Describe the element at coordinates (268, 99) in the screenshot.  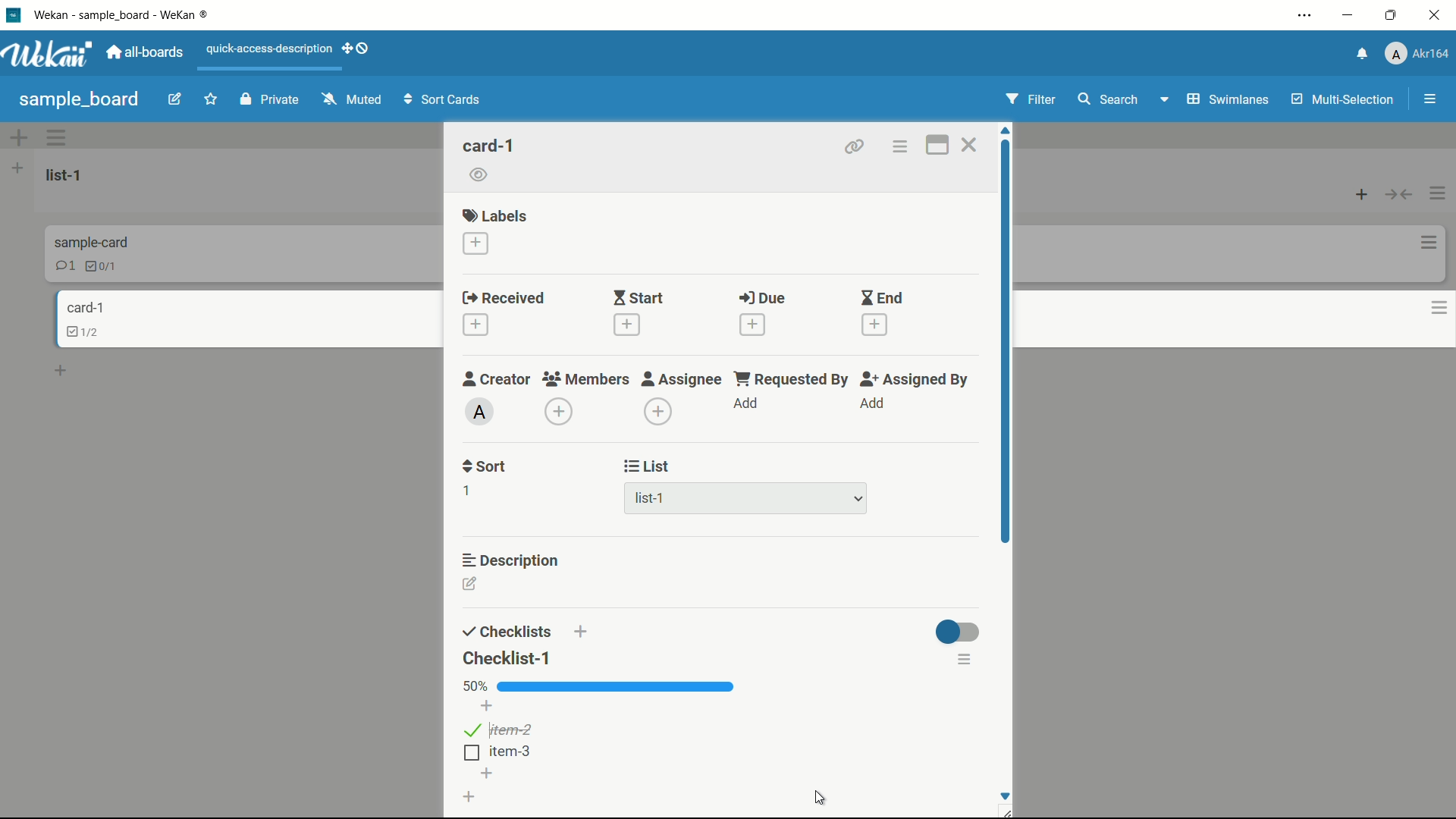
I see `private` at that location.